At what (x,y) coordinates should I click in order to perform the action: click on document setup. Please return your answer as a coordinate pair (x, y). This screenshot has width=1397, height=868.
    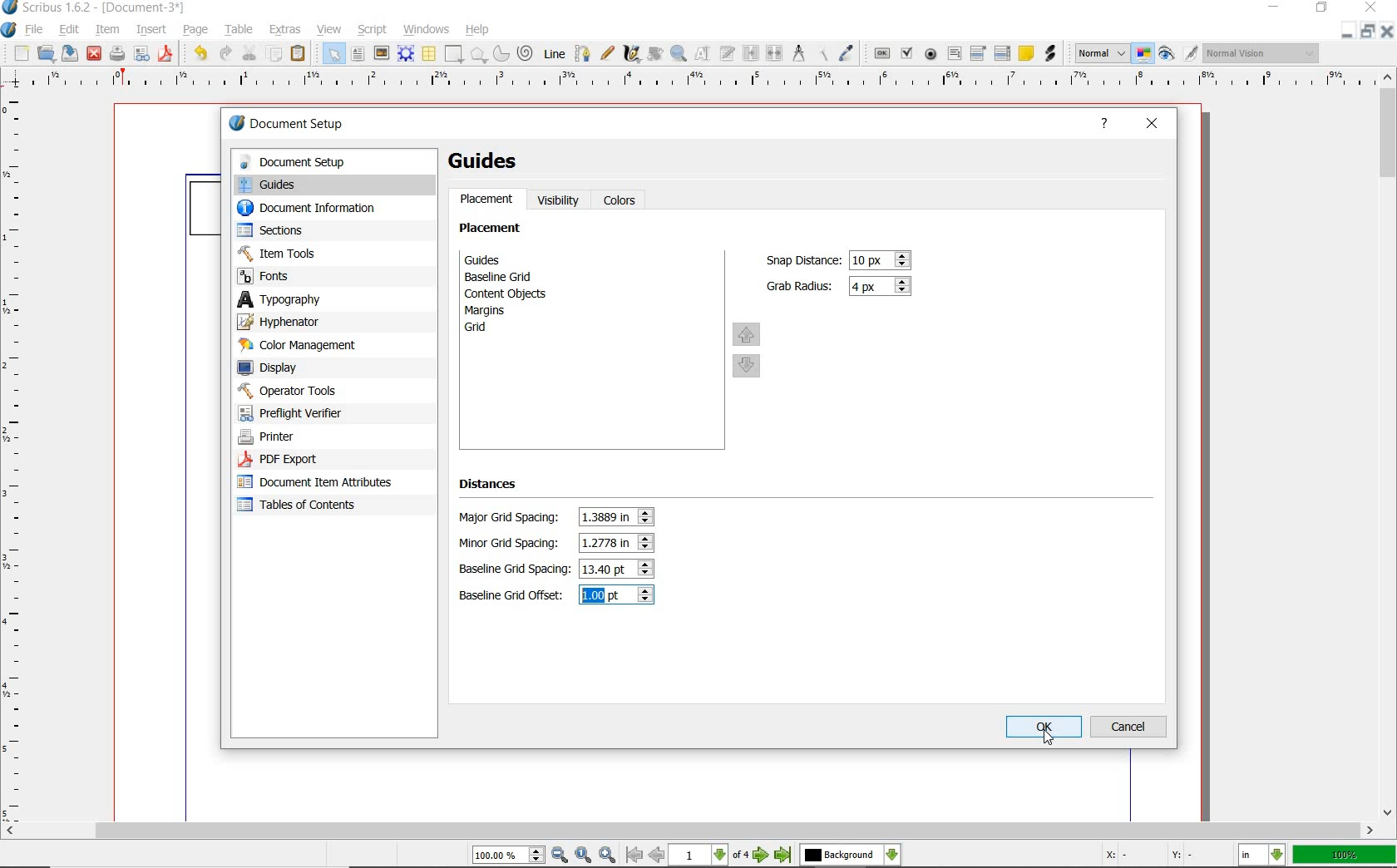
    Looking at the image, I should click on (305, 126).